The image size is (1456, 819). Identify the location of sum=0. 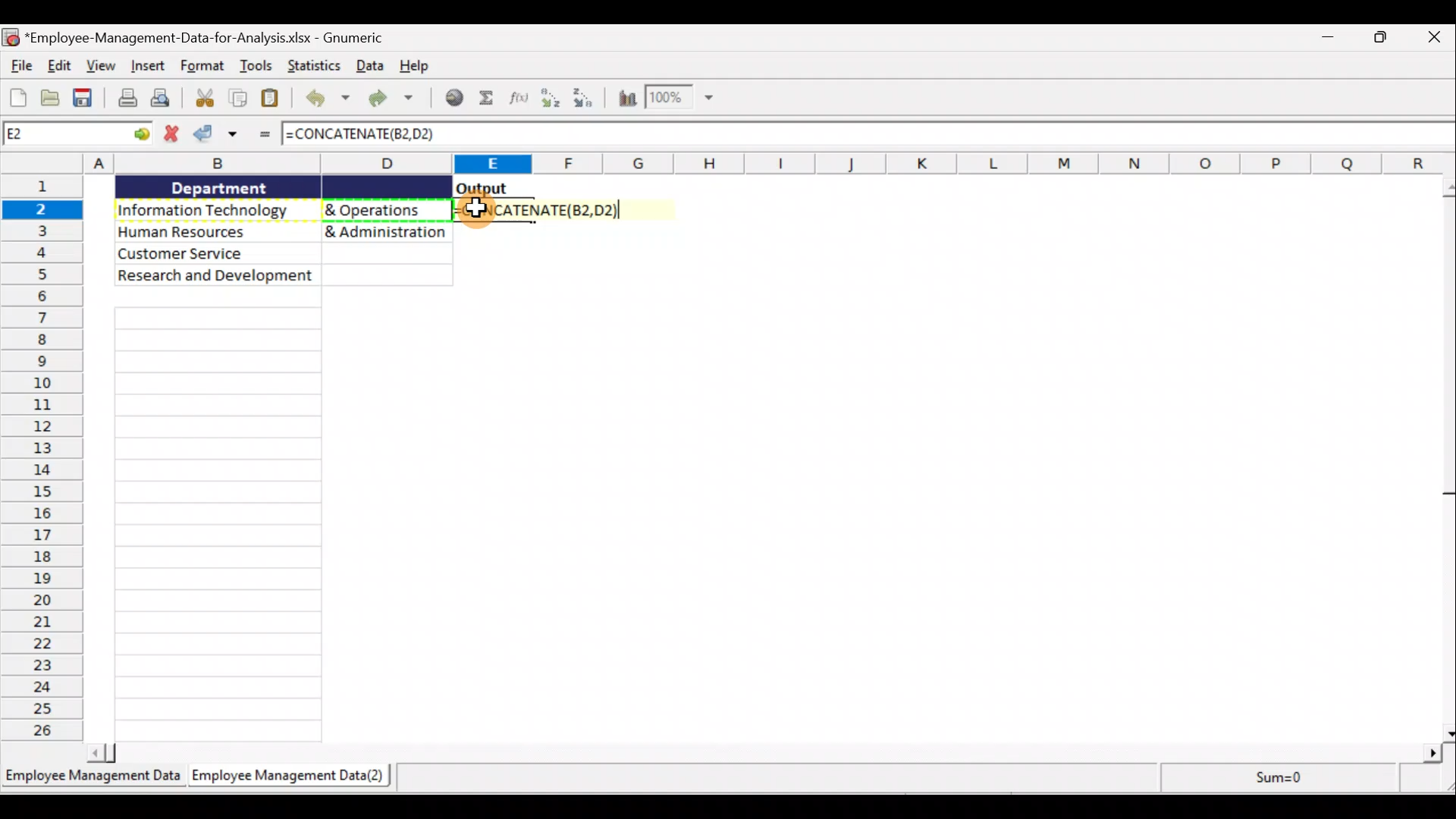
(1271, 777).